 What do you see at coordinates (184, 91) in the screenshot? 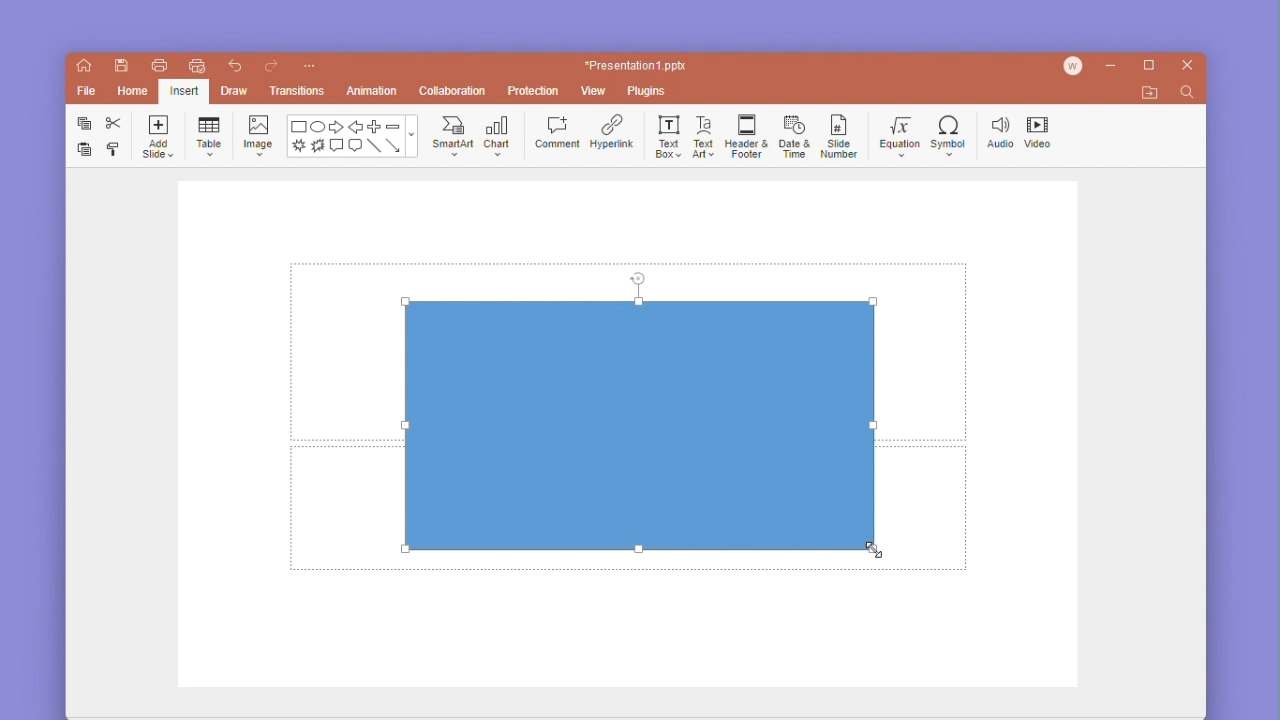
I see `Selected insert` at bounding box center [184, 91].